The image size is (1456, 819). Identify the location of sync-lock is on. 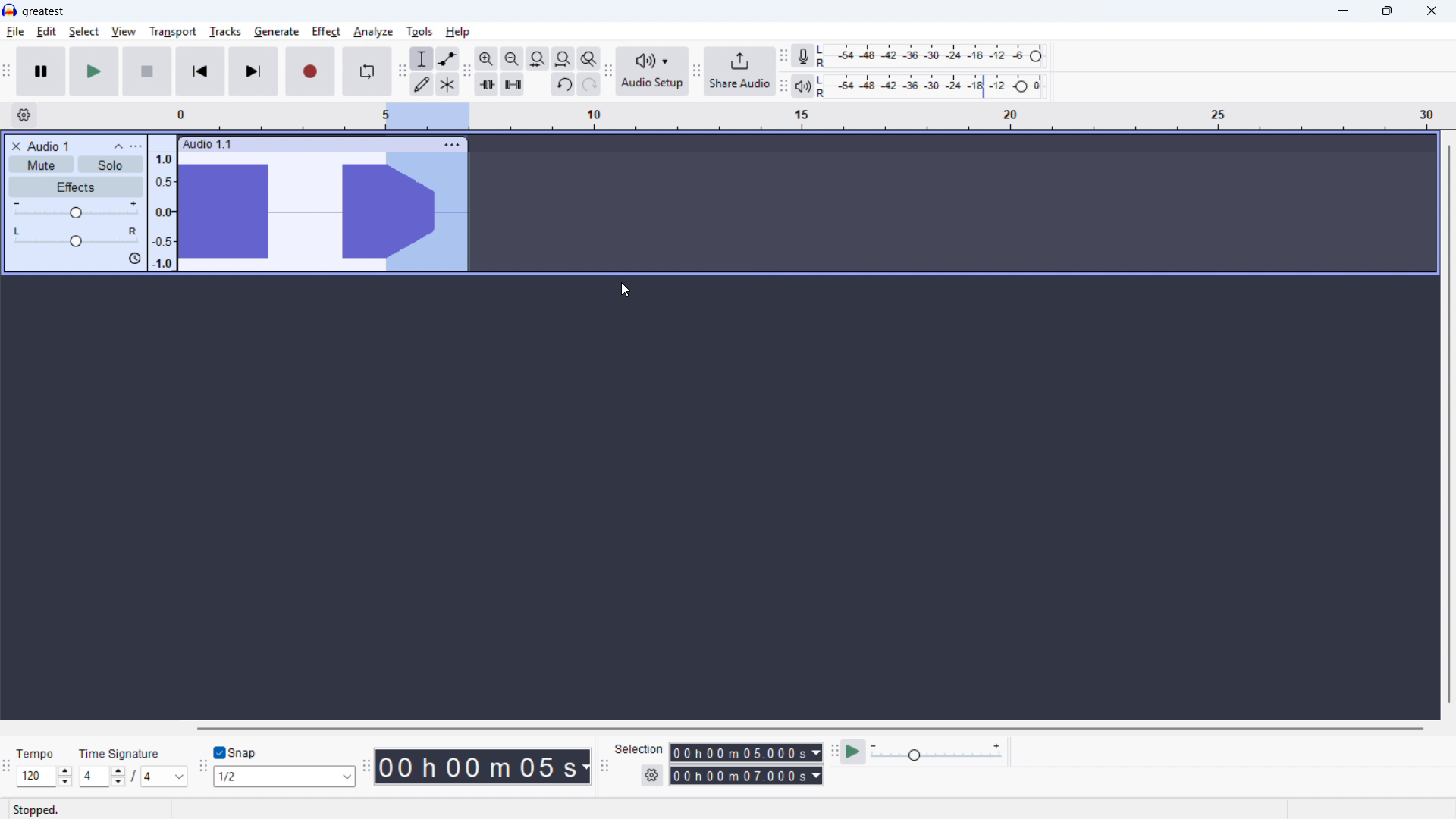
(134, 259).